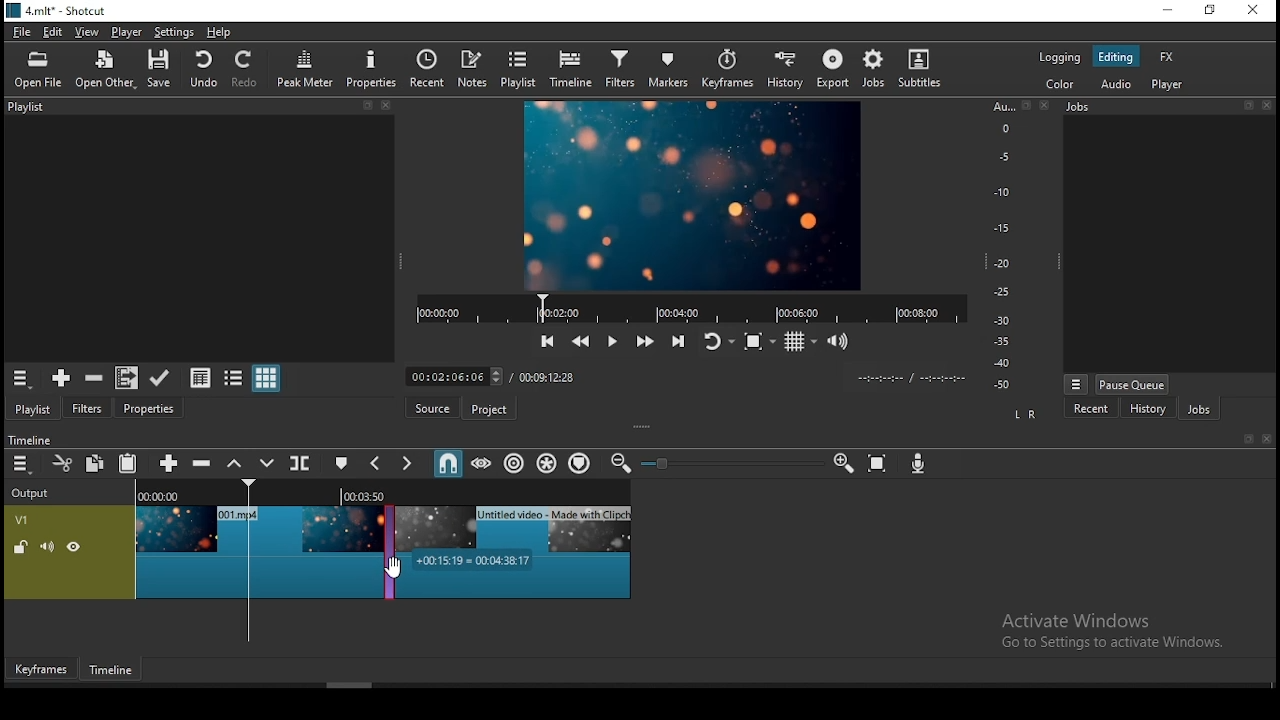 Image resolution: width=1280 pixels, height=720 pixels. I want to click on , so click(165, 462).